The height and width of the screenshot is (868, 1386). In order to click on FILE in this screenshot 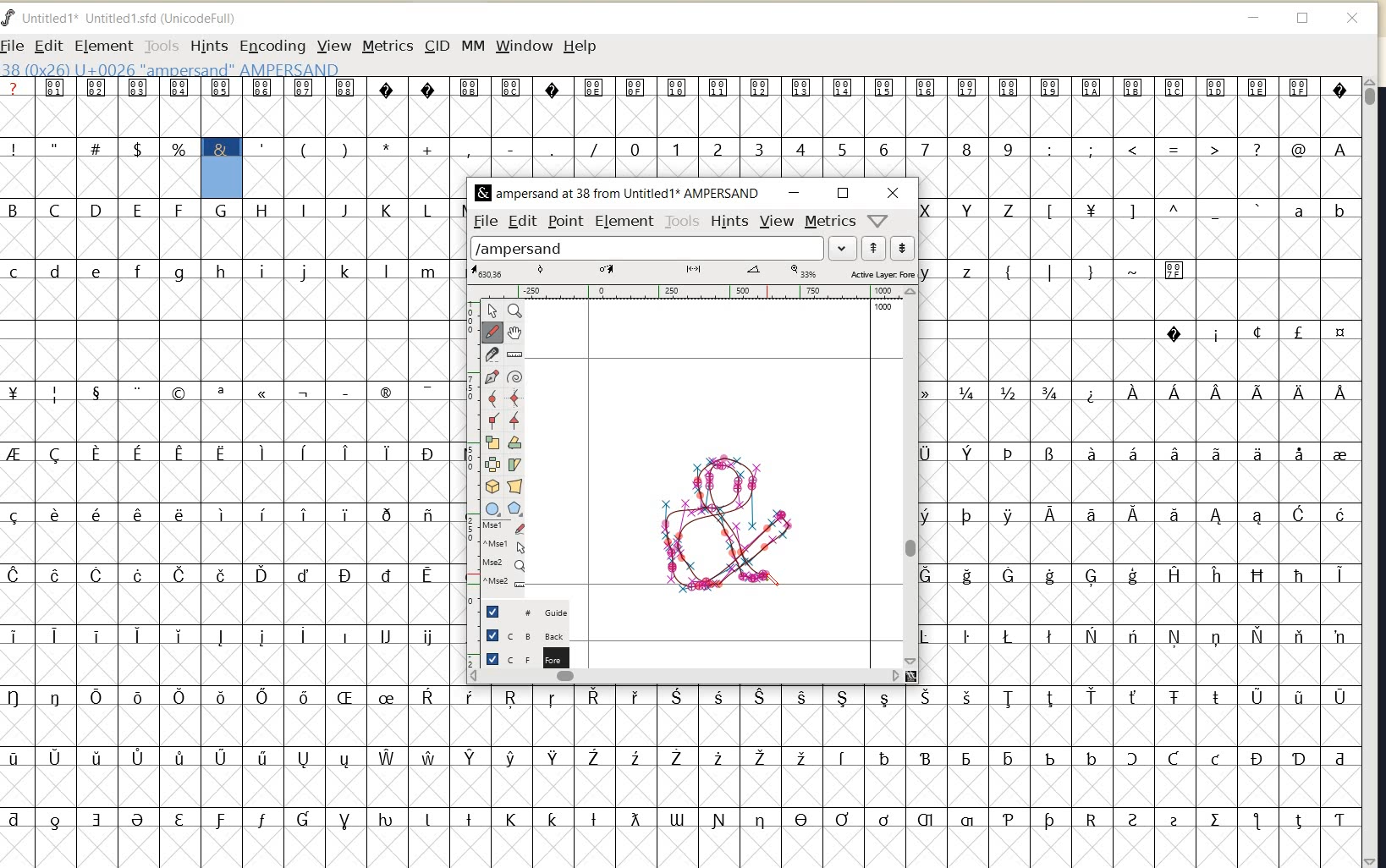, I will do `click(14, 47)`.